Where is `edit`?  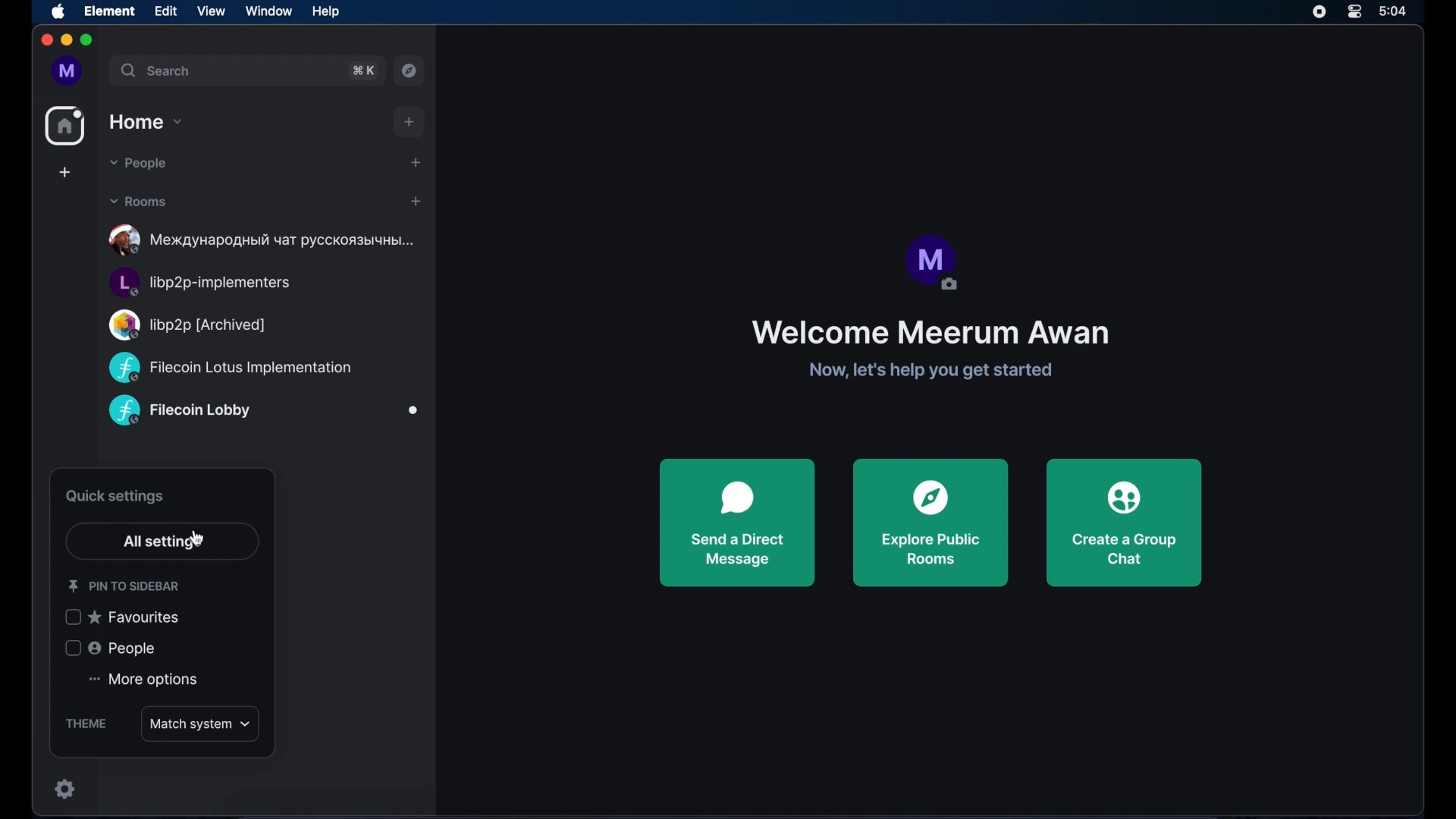 edit is located at coordinates (165, 11).